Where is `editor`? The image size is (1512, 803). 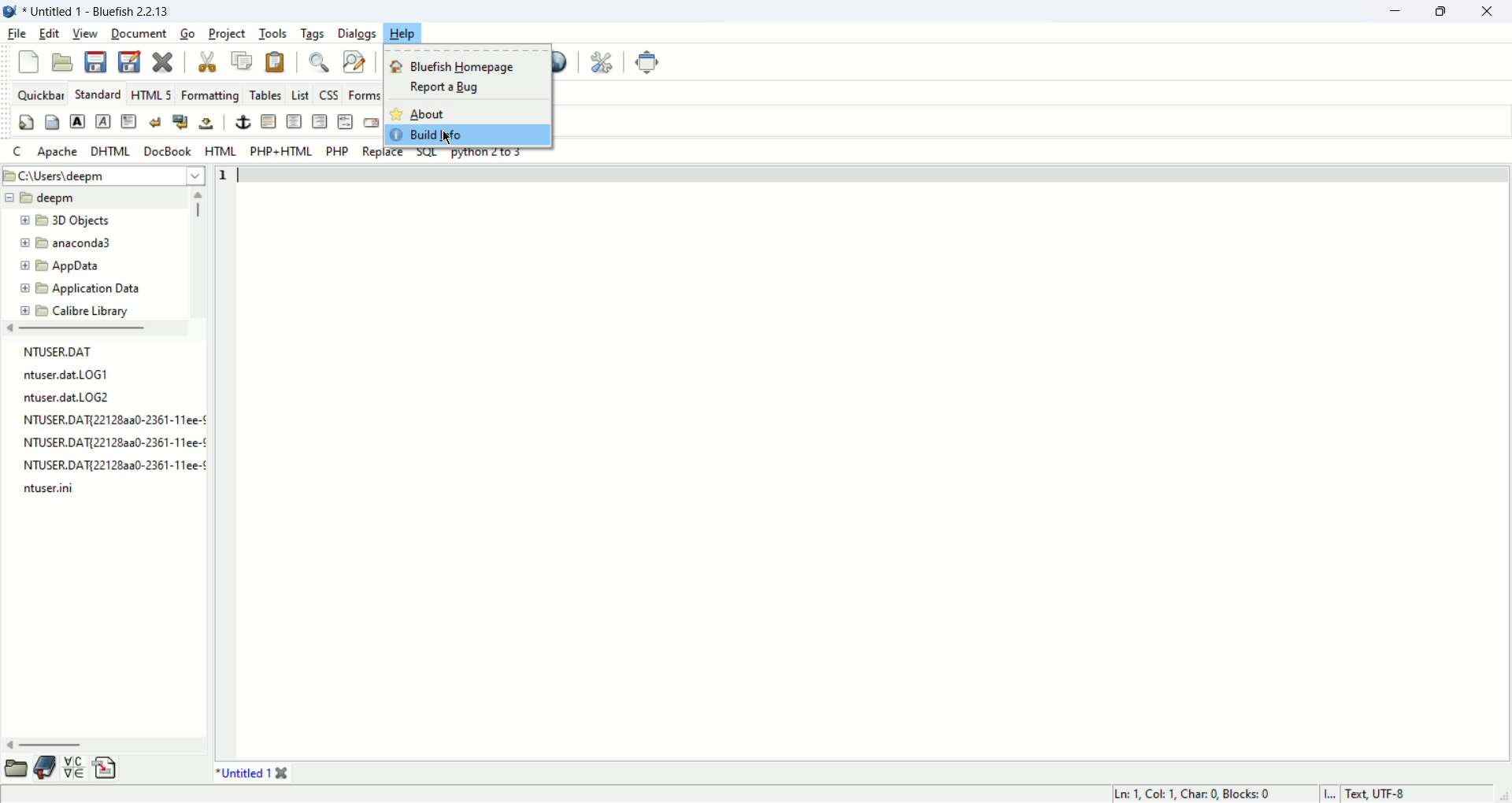 editor is located at coordinates (876, 461).